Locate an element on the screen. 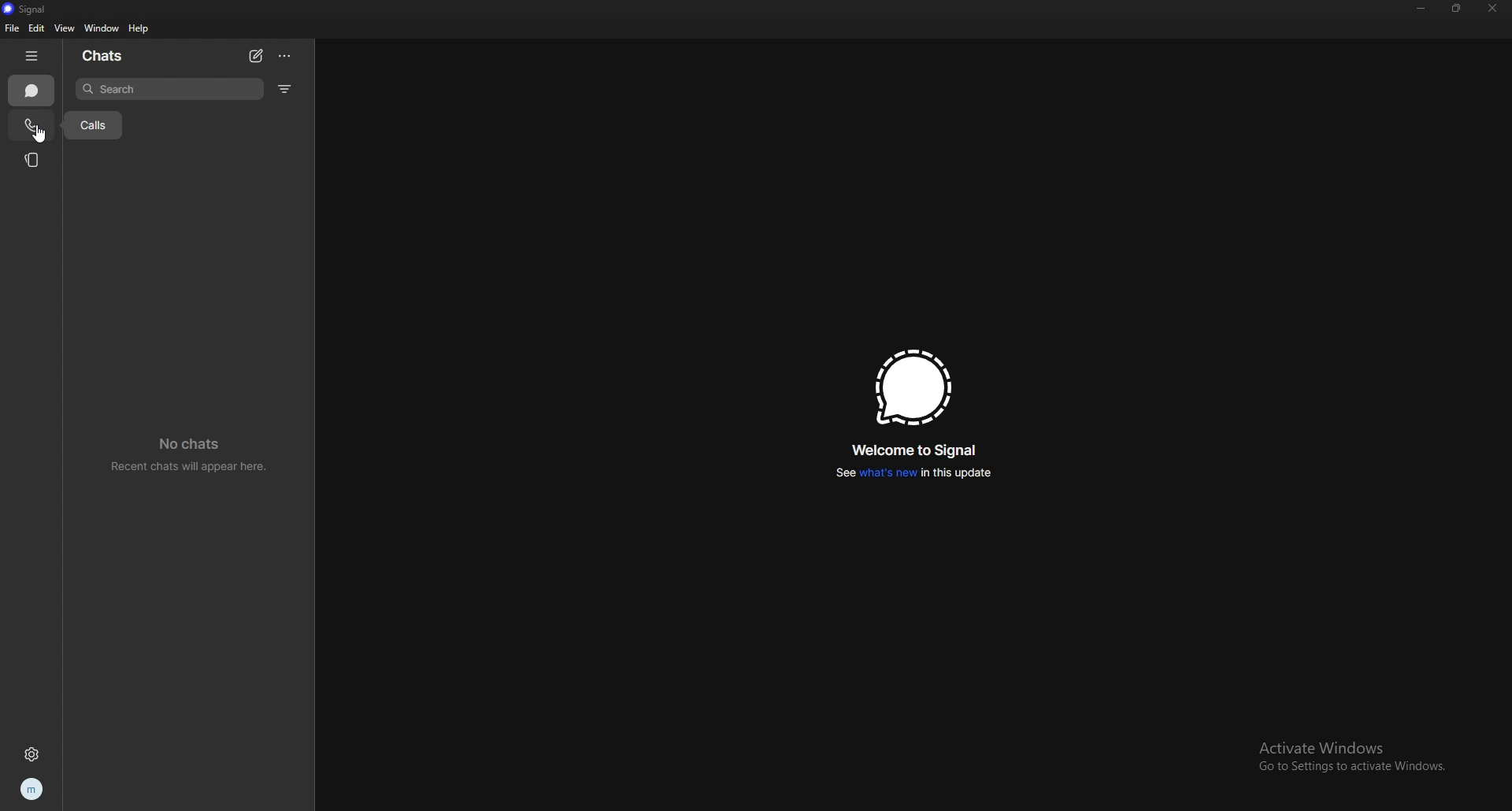 The width and height of the screenshot is (1512, 811). stories is located at coordinates (33, 158).